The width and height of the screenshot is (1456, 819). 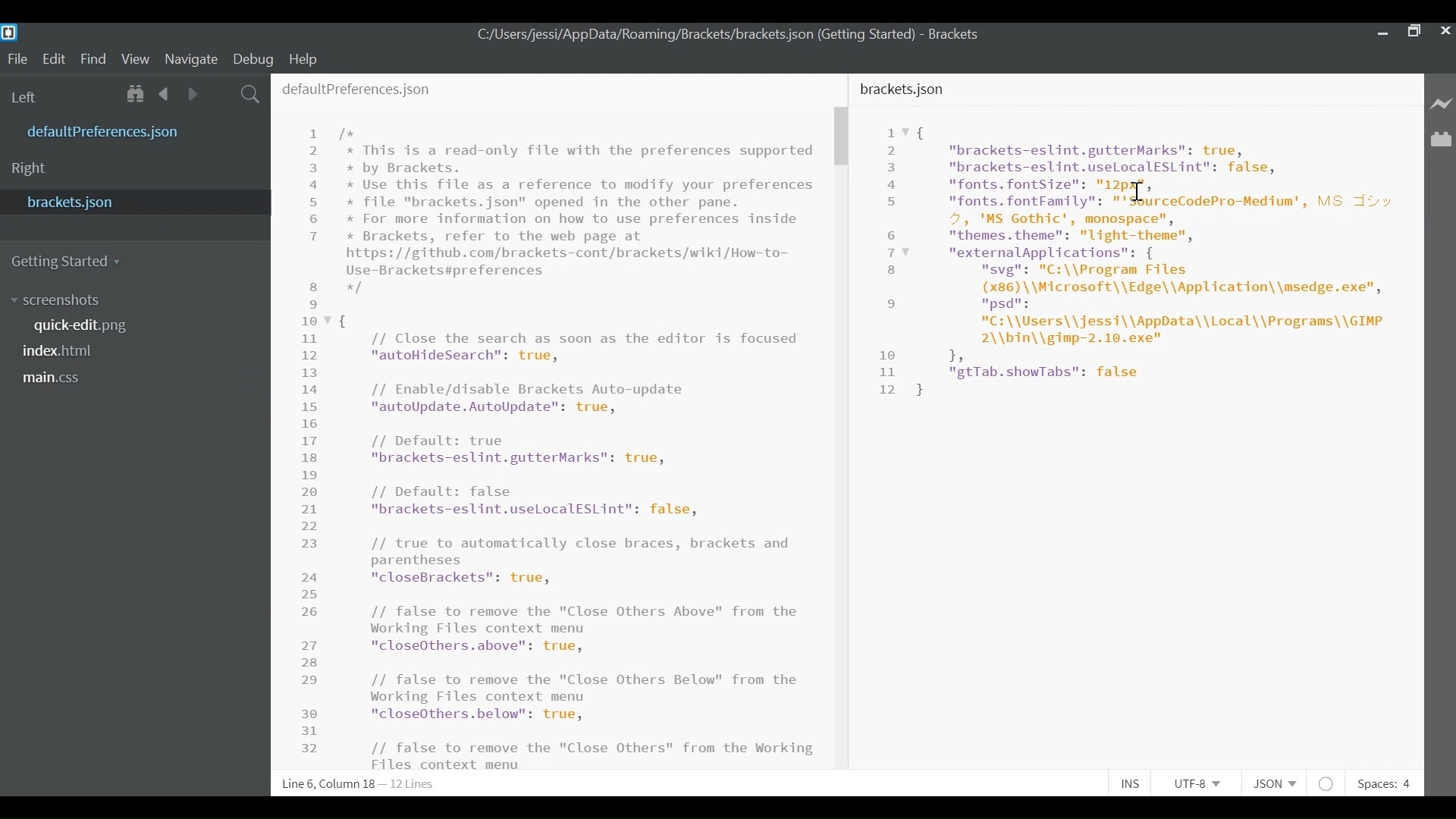 I want to click on This is a read-only file with the preferences supported
by Brackets.
Use this file as a reference to modify your preferences
file "brackets.json" opened in the other pane.
For more information on how to use preferences inside
Brackets, refer to the web page at
tps: //github.com/brackets-cont/brackets/wiki/How-to-
.e-Brackets#preferences
// Close the search as soon as the editor is focused
"autoHideSearch": true,
// Enable/disable Brackets Auto-update
"autoUpdate.AutoUpdate": true,
// Default: true
"brackets-eslint.gutterMarks": true,
// Default: false
"brackets-eslint.uselLocalESLint": false,
// true to automatically close braces, brackets and
parentheses
"closeBrackets": true,
// false to remove the "Close Others Above" from the
Working Files context menu
"closeOthers.above": true,
// false to remove the "Close Others Below" from the
Working Files context menu
"closeOthers.below": true,
// false to remove the "Close Others" from the Working
Files context menu, so click(x=580, y=447).